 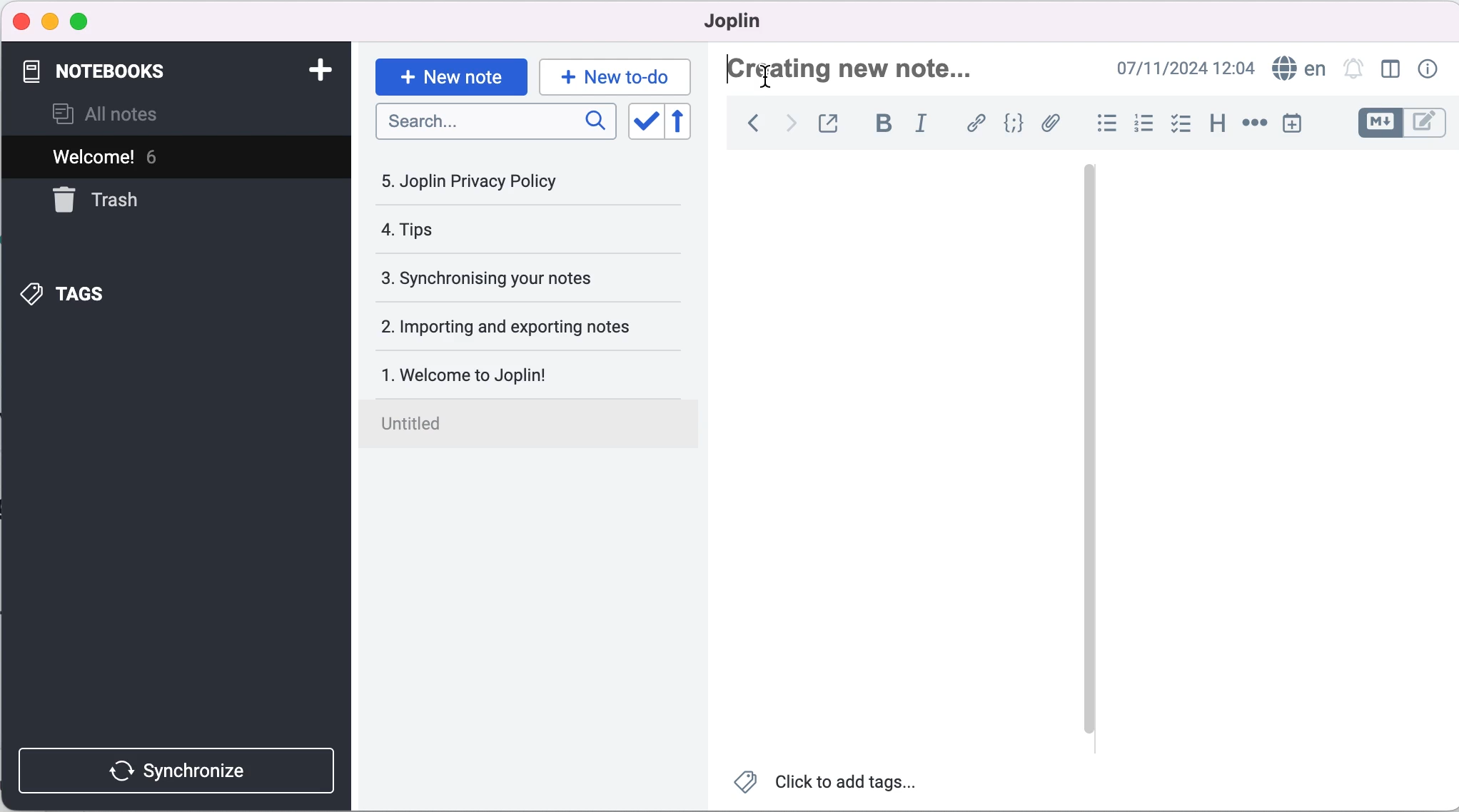 What do you see at coordinates (1100, 126) in the screenshot?
I see `bulleted list` at bounding box center [1100, 126].